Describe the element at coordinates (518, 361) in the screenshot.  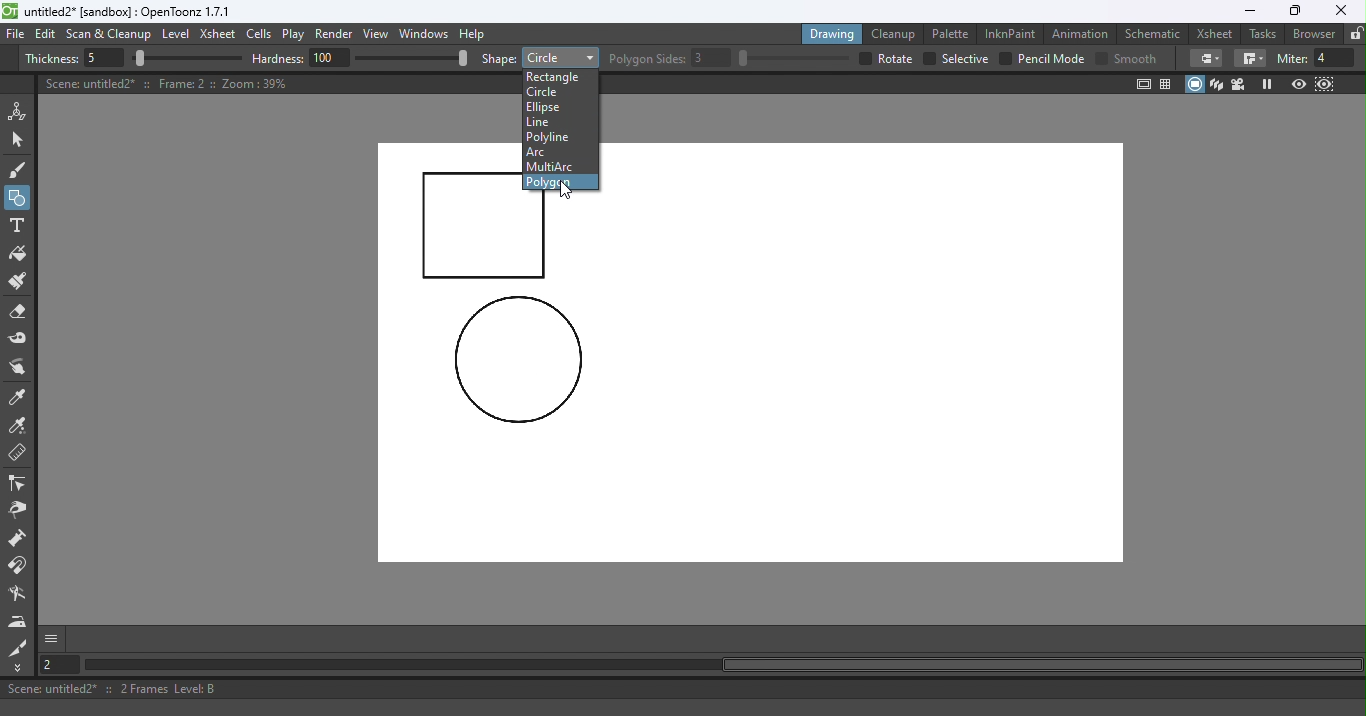
I see `circle` at that location.